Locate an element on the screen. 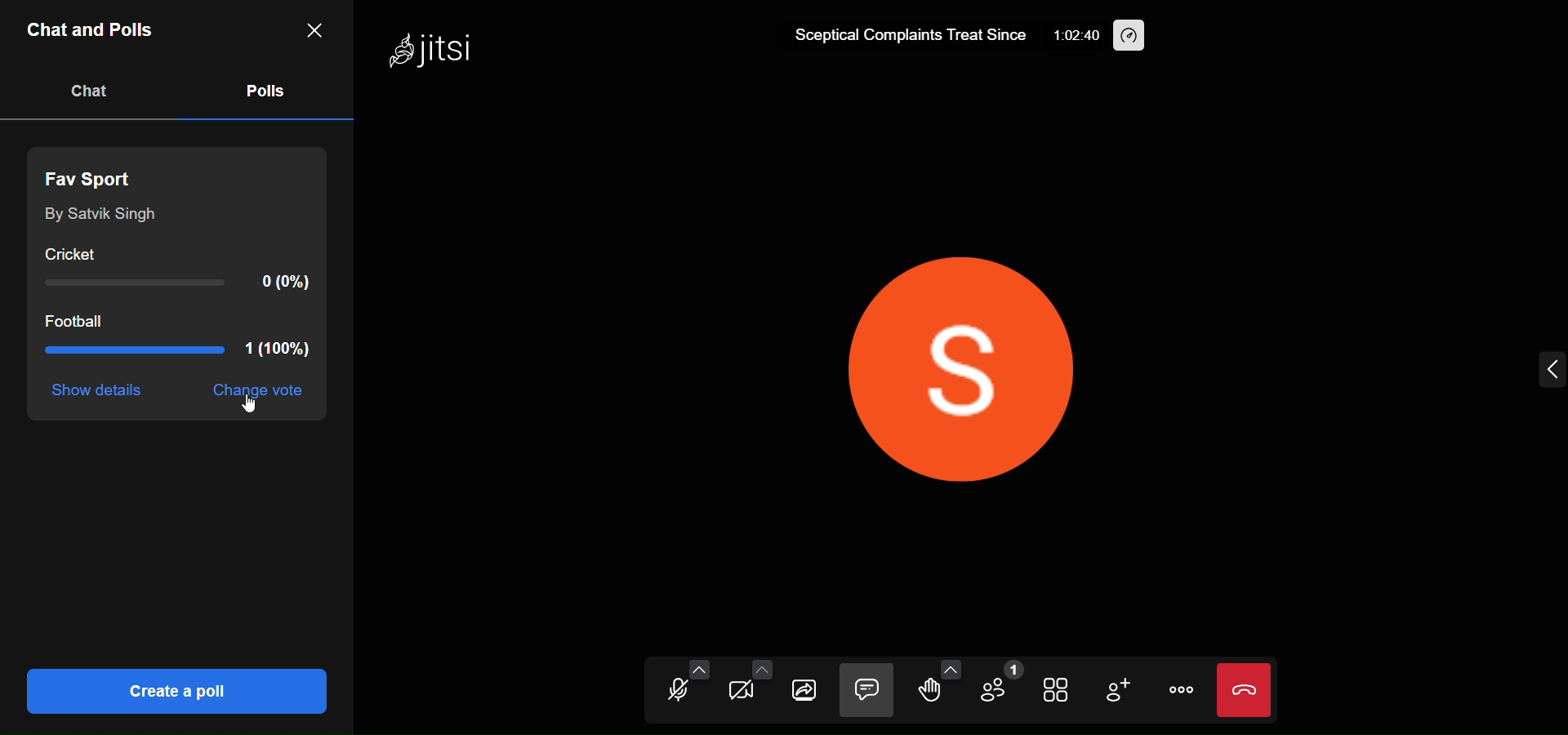 This screenshot has height=735, width=1568. screen share is located at coordinates (804, 692).